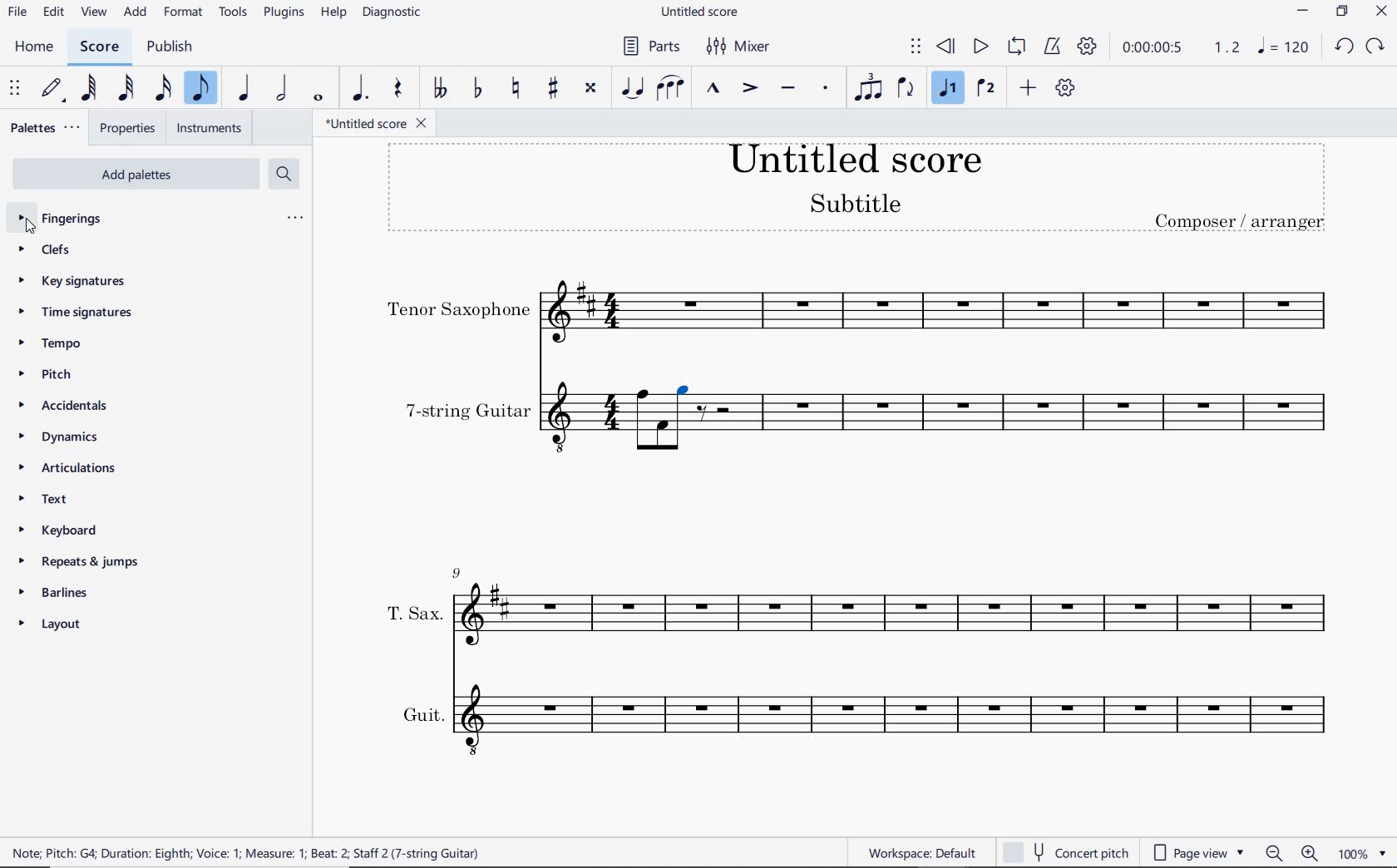 Image resolution: width=1397 pixels, height=868 pixels. What do you see at coordinates (668, 90) in the screenshot?
I see `SLUR` at bounding box center [668, 90].